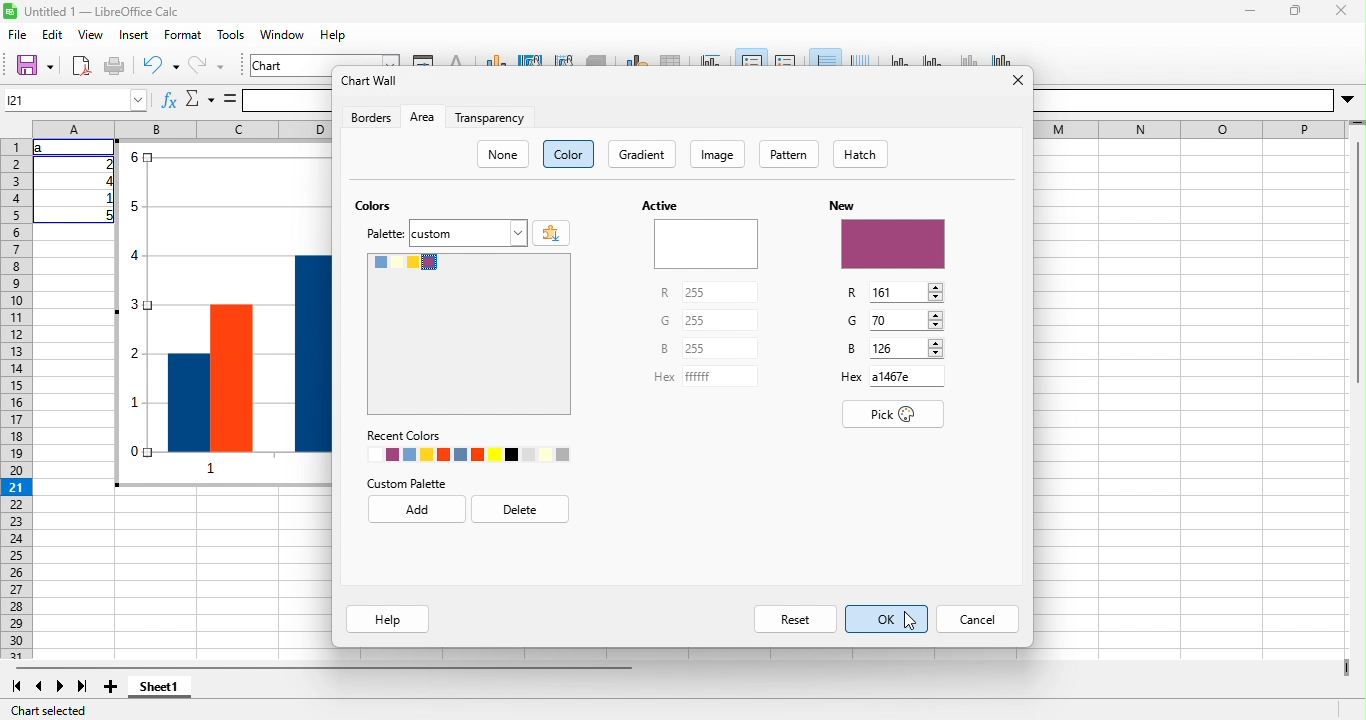  I want to click on 3d view, so click(596, 59).